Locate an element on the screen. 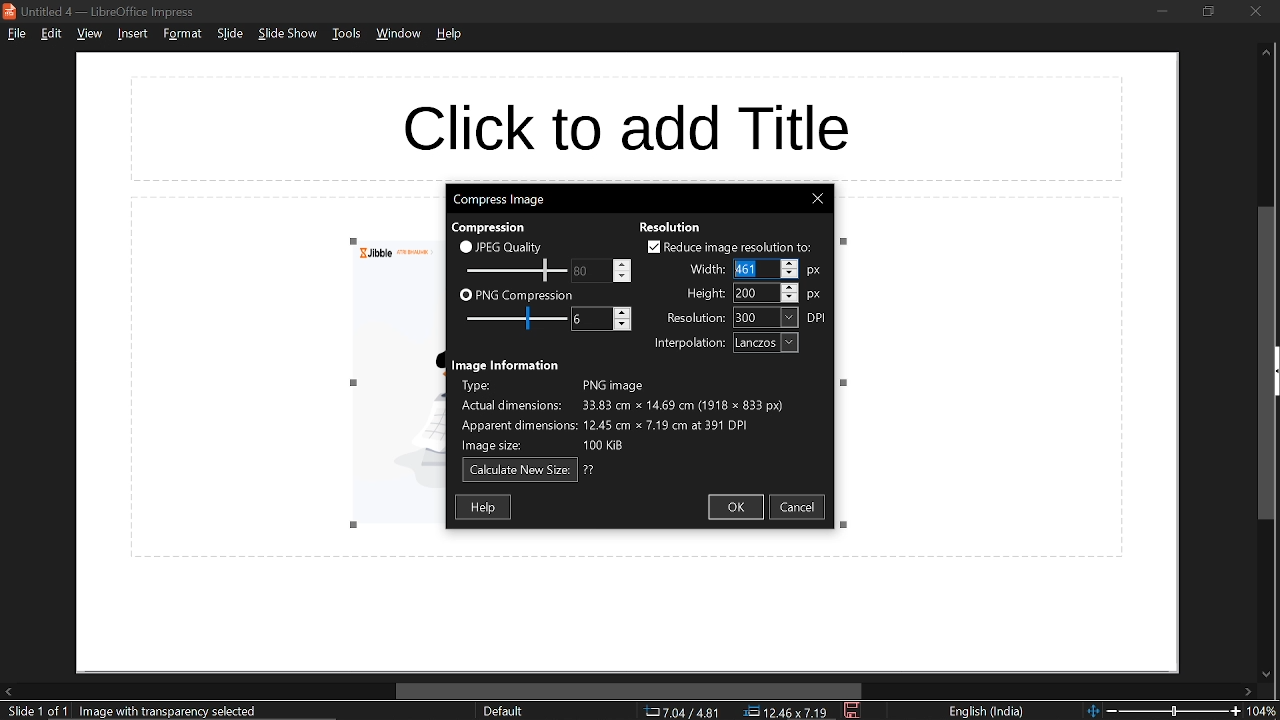  move up is located at coordinates (1266, 56).